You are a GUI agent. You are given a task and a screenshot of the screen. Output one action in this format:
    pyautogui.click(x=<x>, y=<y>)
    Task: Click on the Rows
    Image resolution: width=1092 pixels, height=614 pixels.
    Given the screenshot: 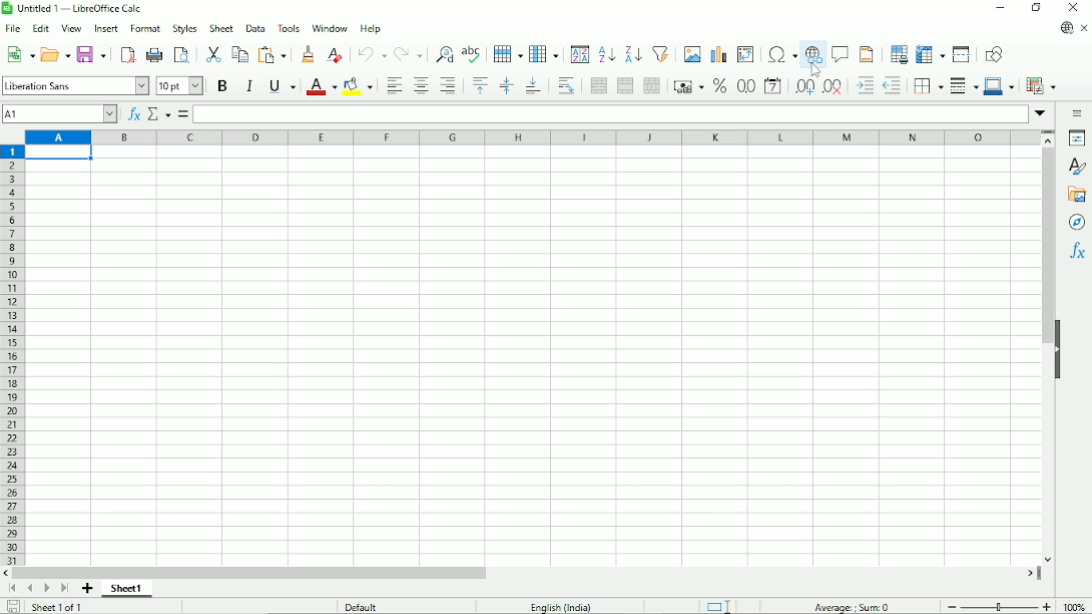 What is the action you would take?
    pyautogui.click(x=507, y=54)
    